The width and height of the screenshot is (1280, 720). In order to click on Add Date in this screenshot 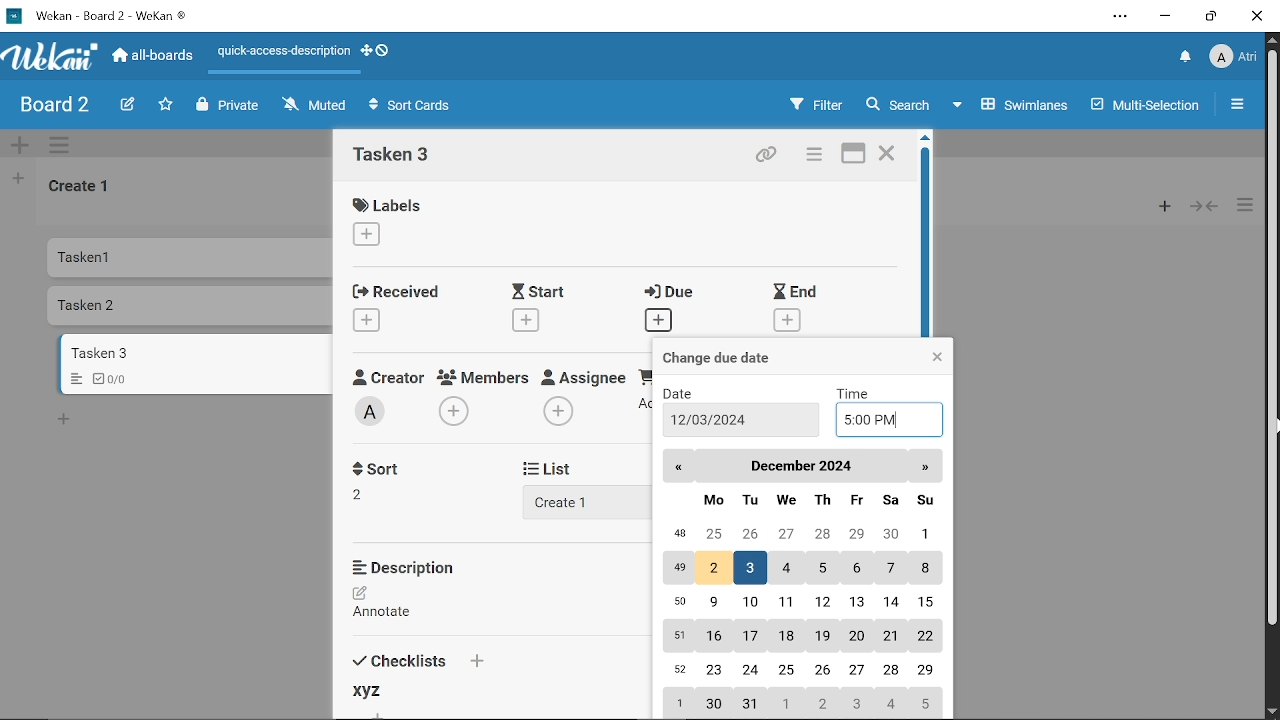, I will do `click(741, 420)`.